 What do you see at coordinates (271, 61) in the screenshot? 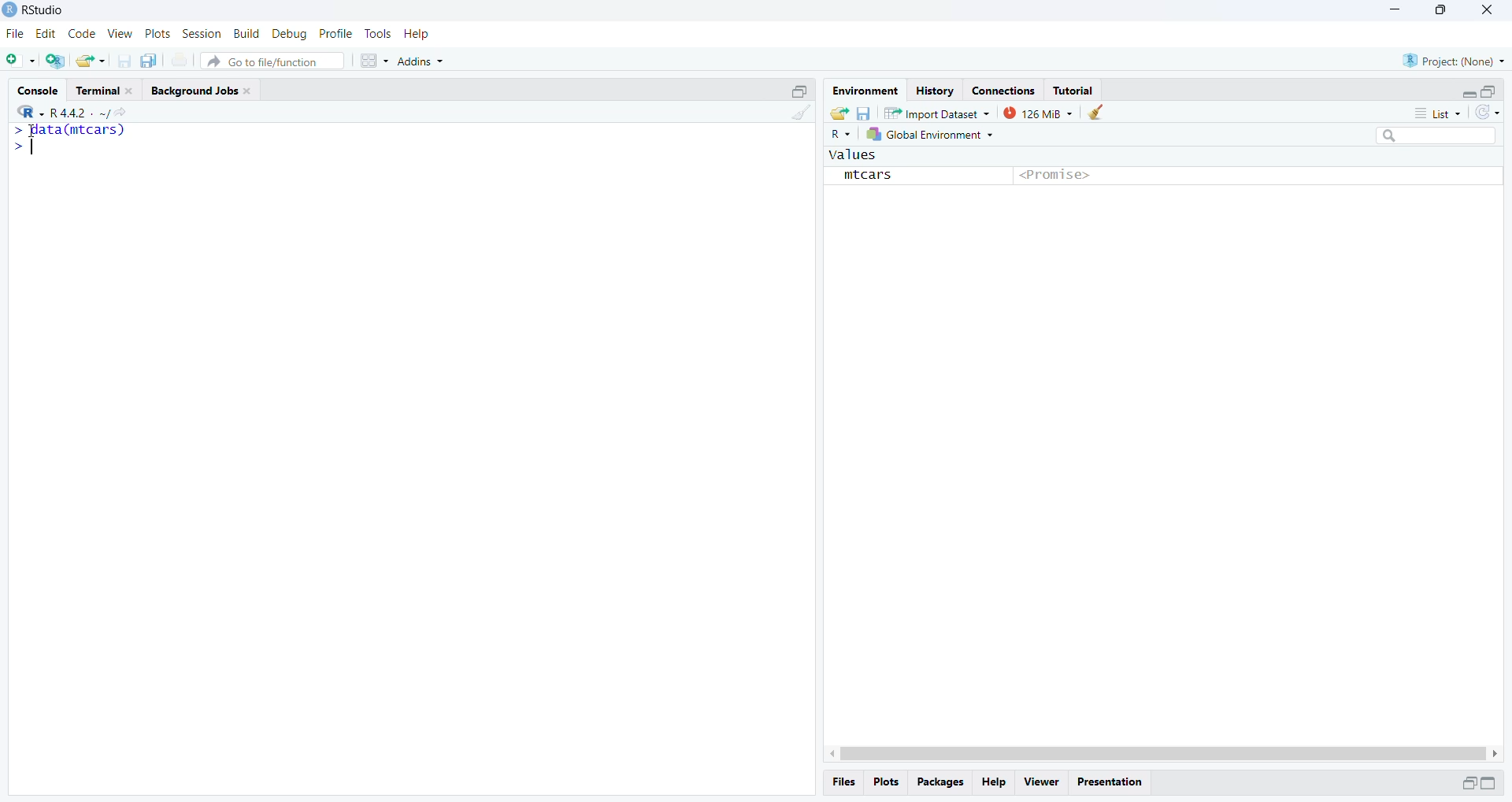
I see `Go to file/function` at bounding box center [271, 61].